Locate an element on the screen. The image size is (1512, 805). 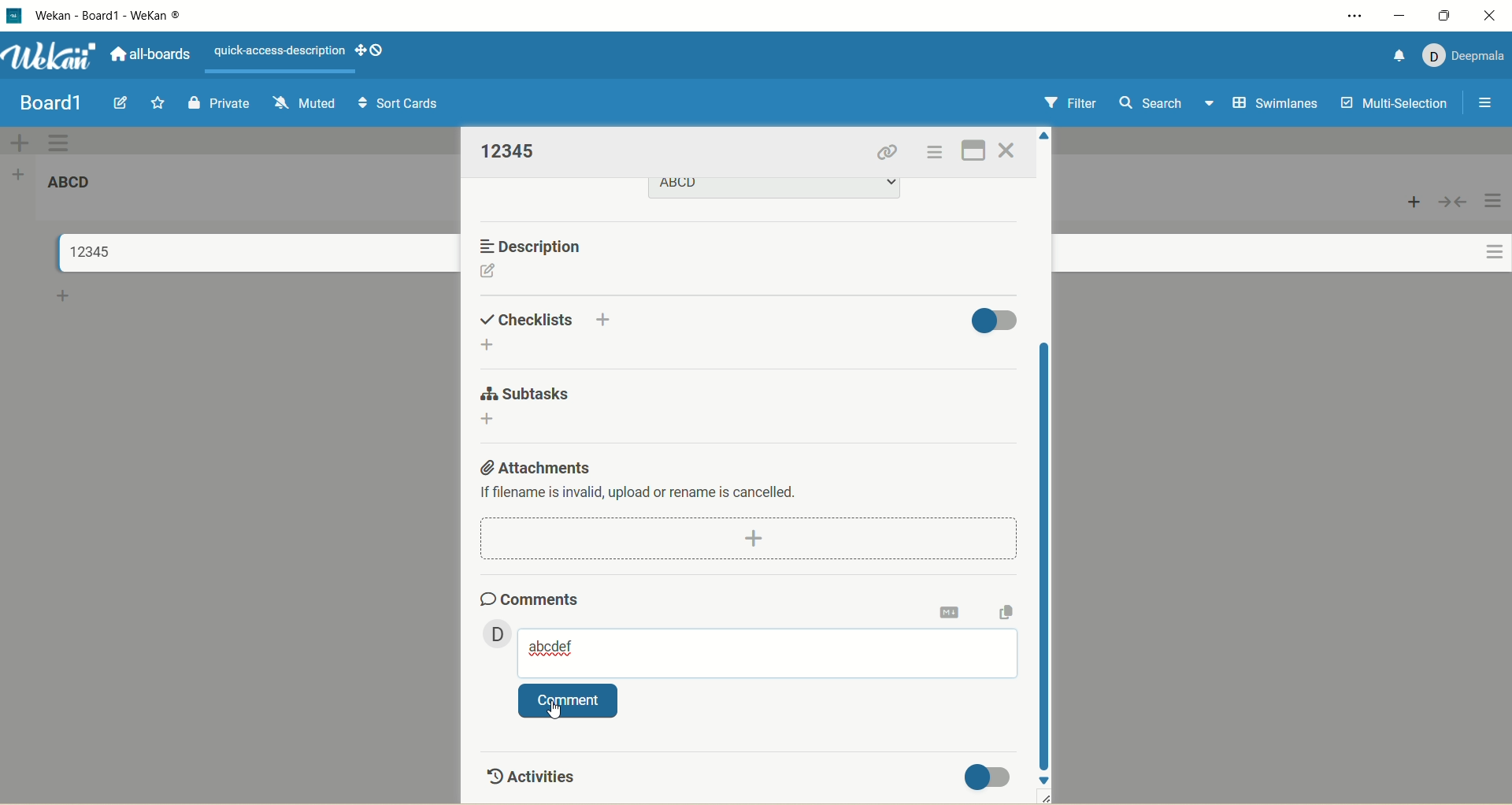
private is located at coordinates (220, 101).